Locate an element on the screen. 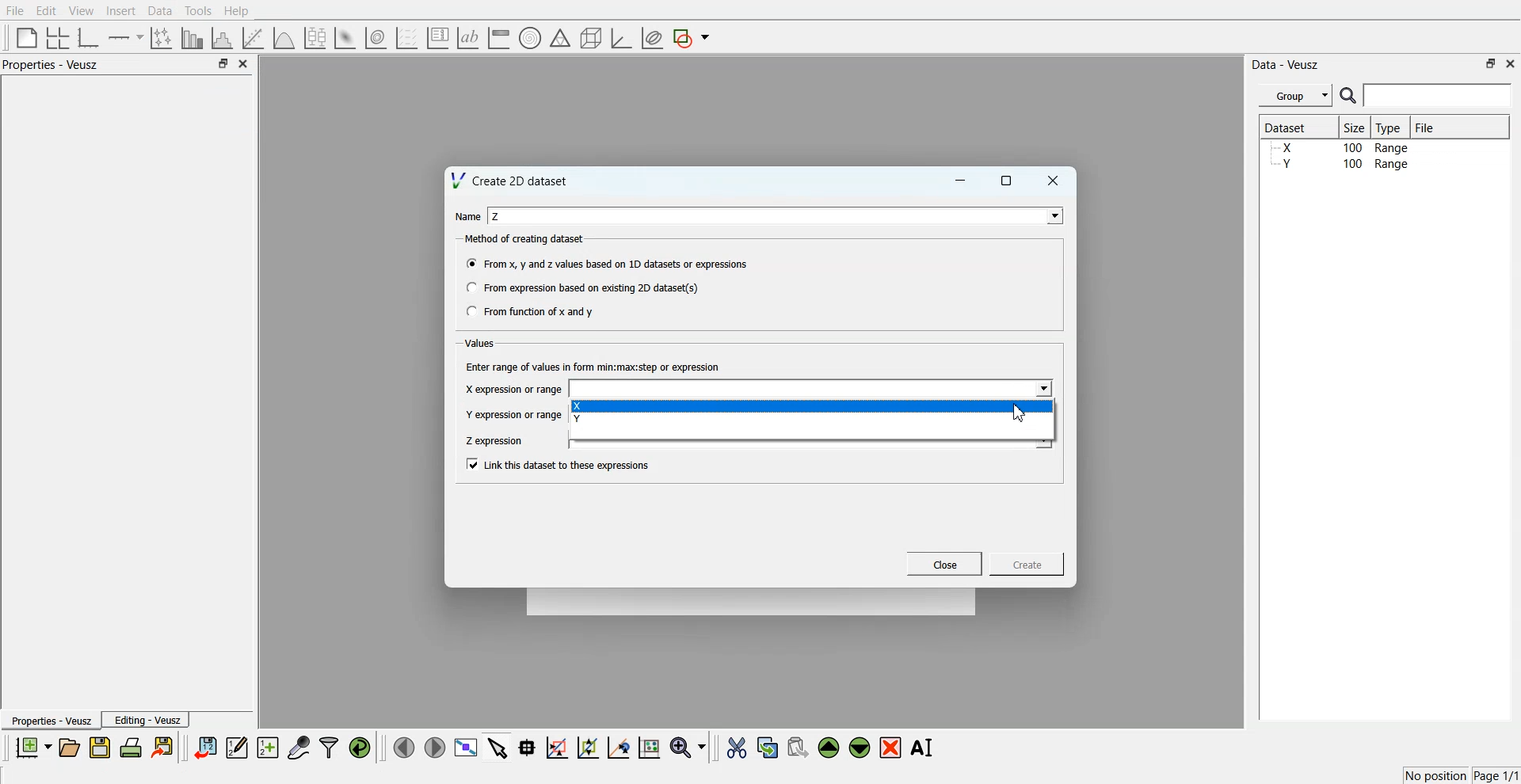 This screenshot has height=784, width=1521. Dataset is located at coordinates (1293, 127).